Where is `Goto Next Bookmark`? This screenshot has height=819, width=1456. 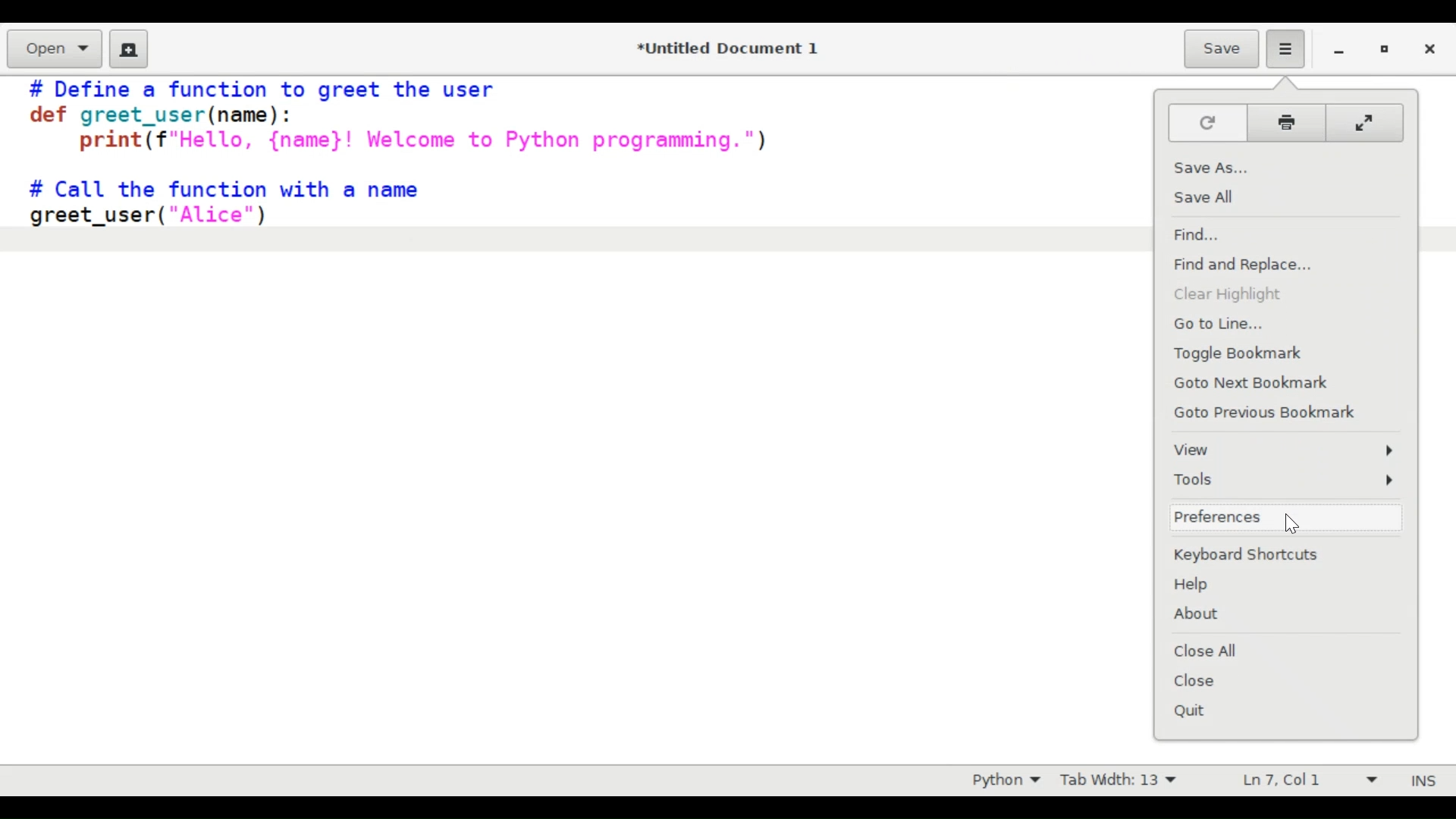 Goto Next Bookmark is located at coordinates (1273, 384).